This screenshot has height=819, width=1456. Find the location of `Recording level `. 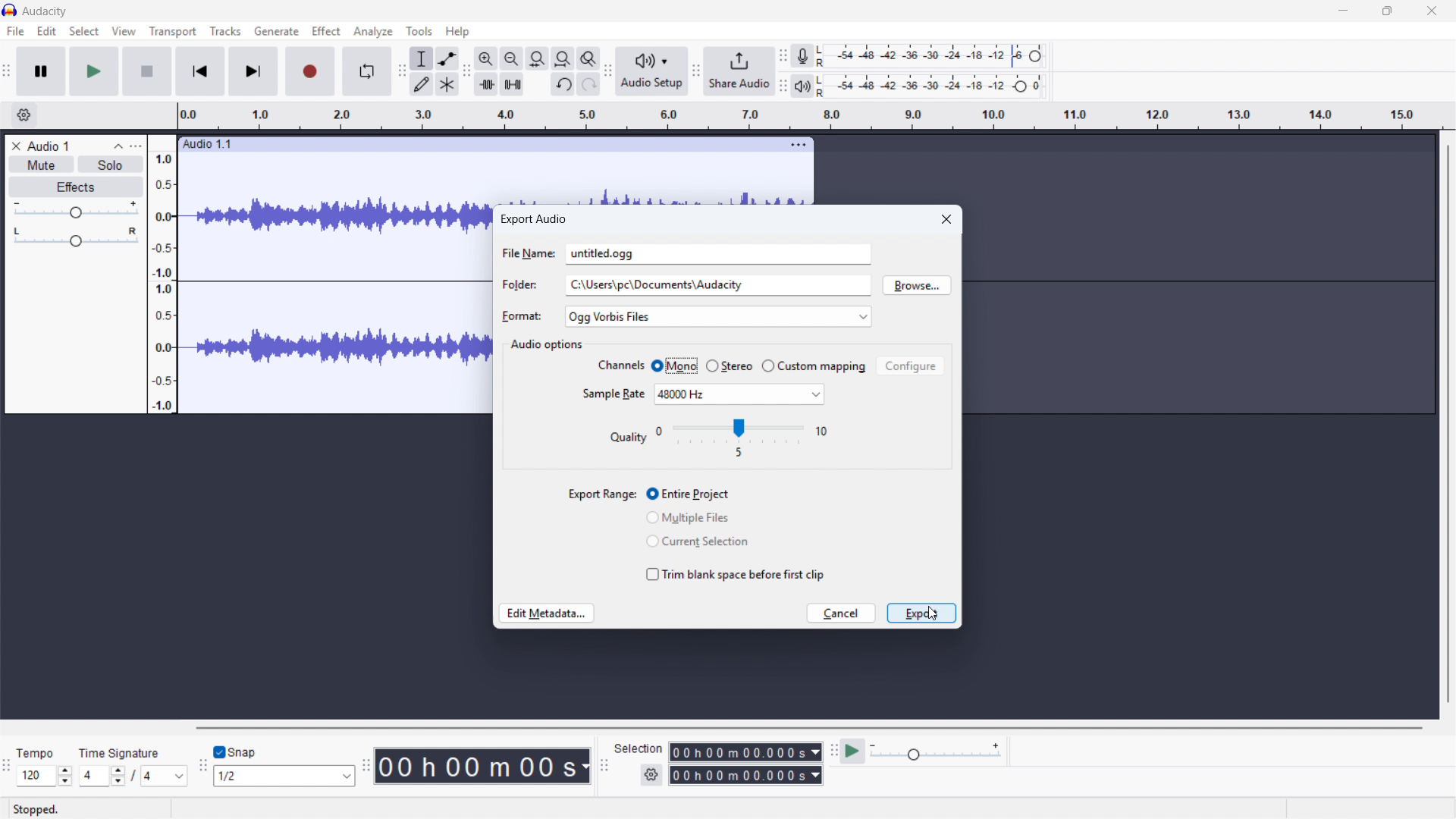

Recording level  is located at coordinates (936, 55).